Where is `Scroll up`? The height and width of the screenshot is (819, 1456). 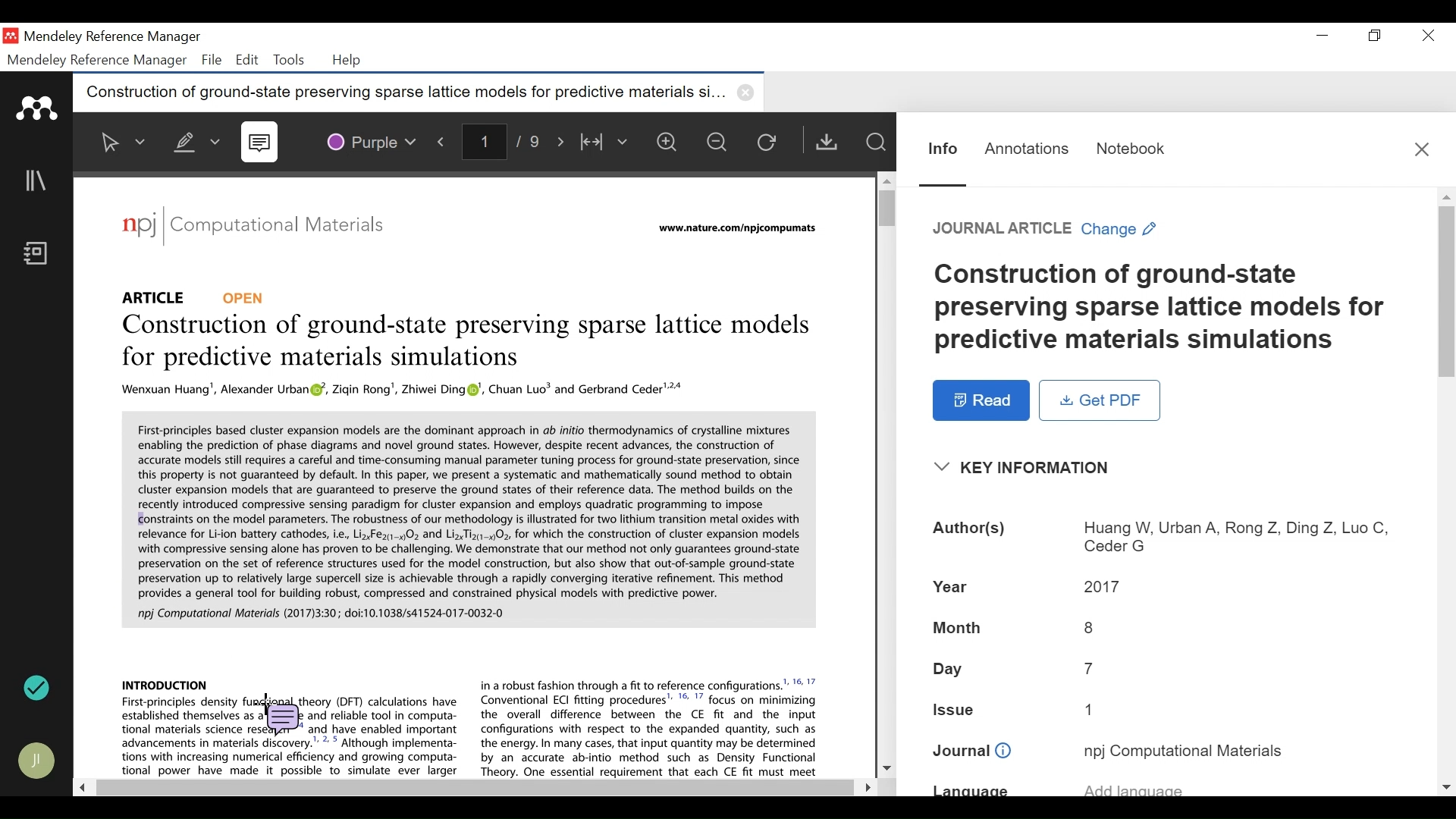 Scroll up is located at coordinates (1447, 196).